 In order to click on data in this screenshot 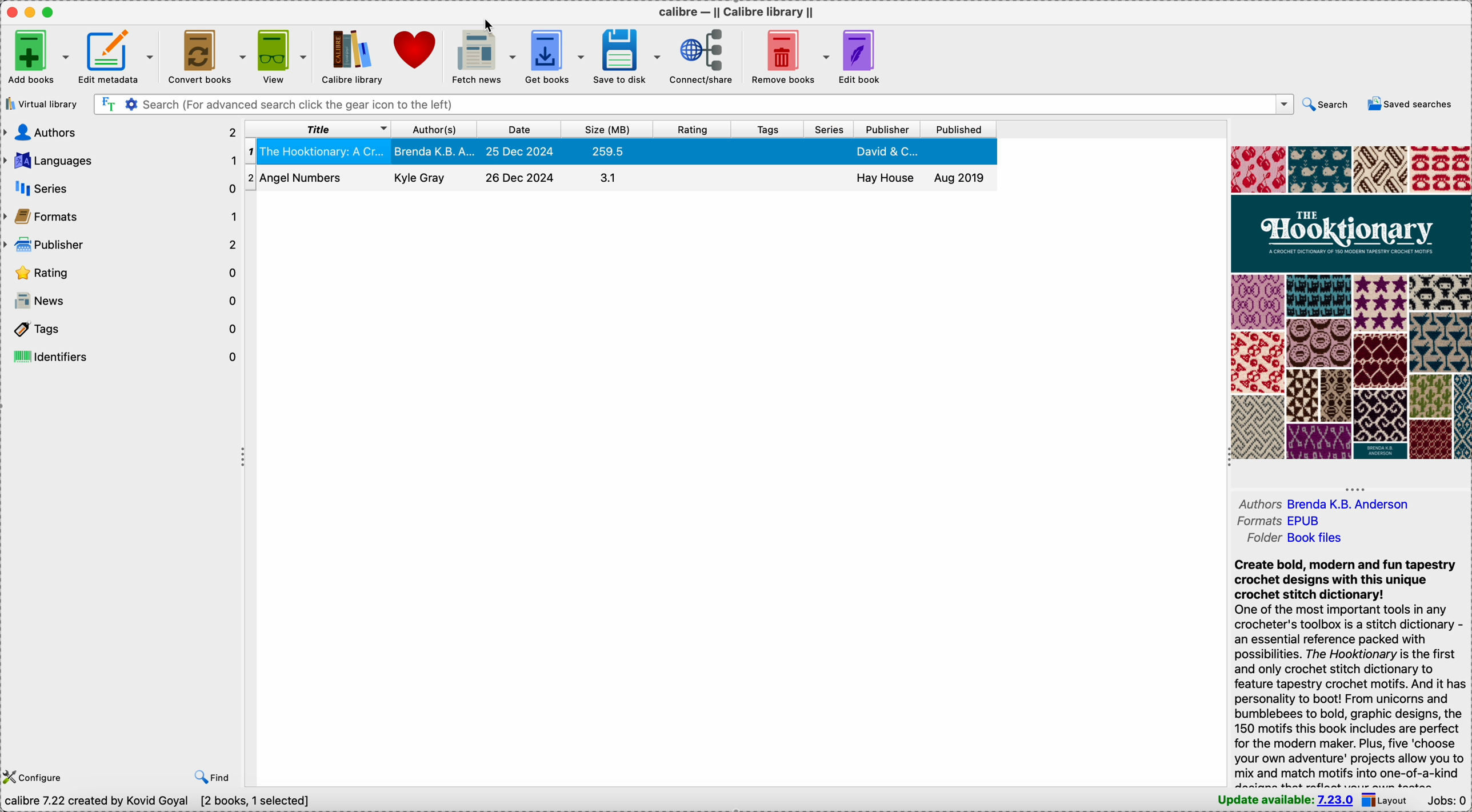, I will do `click(159, 803)`.